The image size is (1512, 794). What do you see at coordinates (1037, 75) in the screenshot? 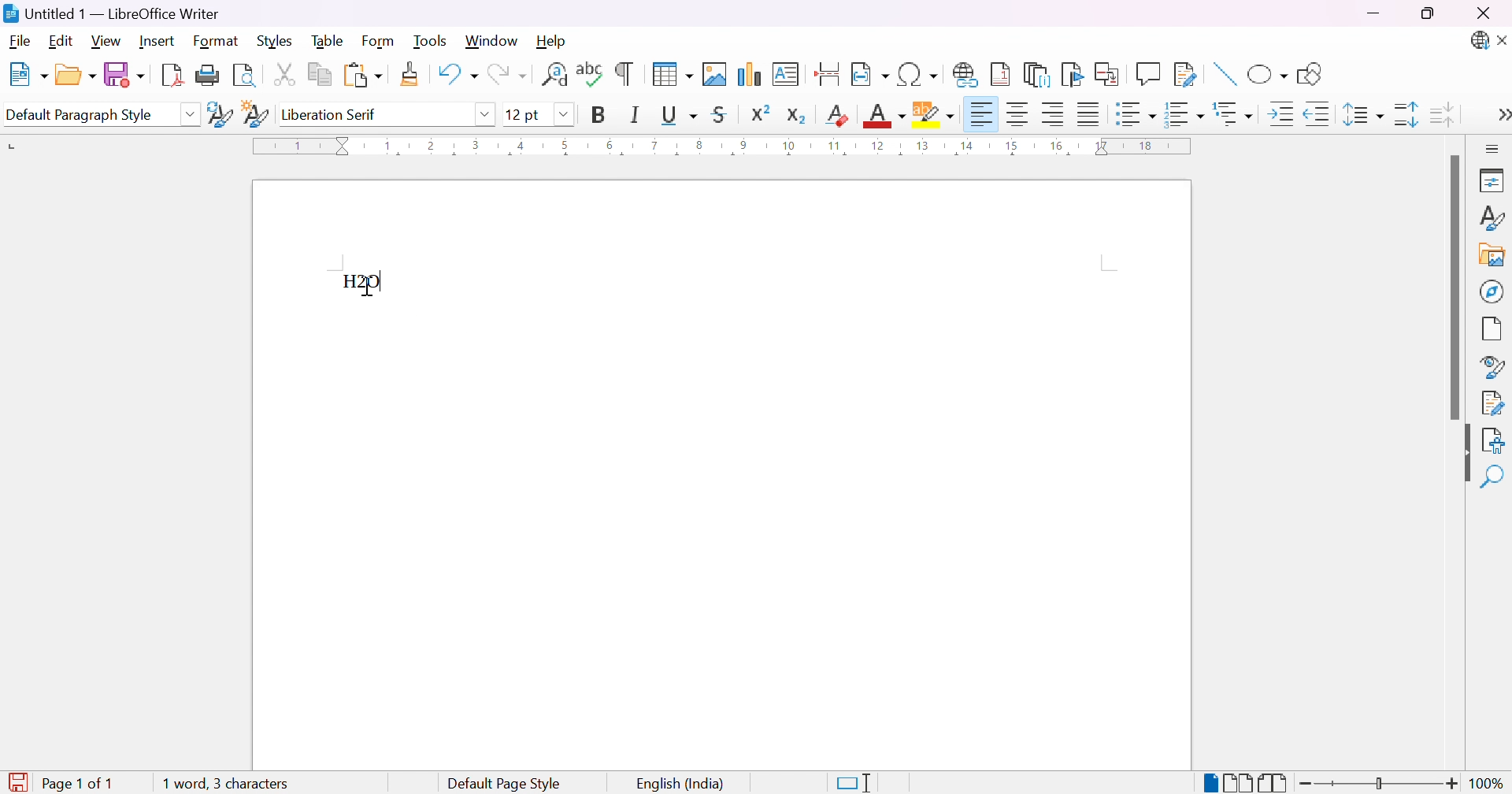
I see `Insert endnote` at bounding box center [1037, 75].